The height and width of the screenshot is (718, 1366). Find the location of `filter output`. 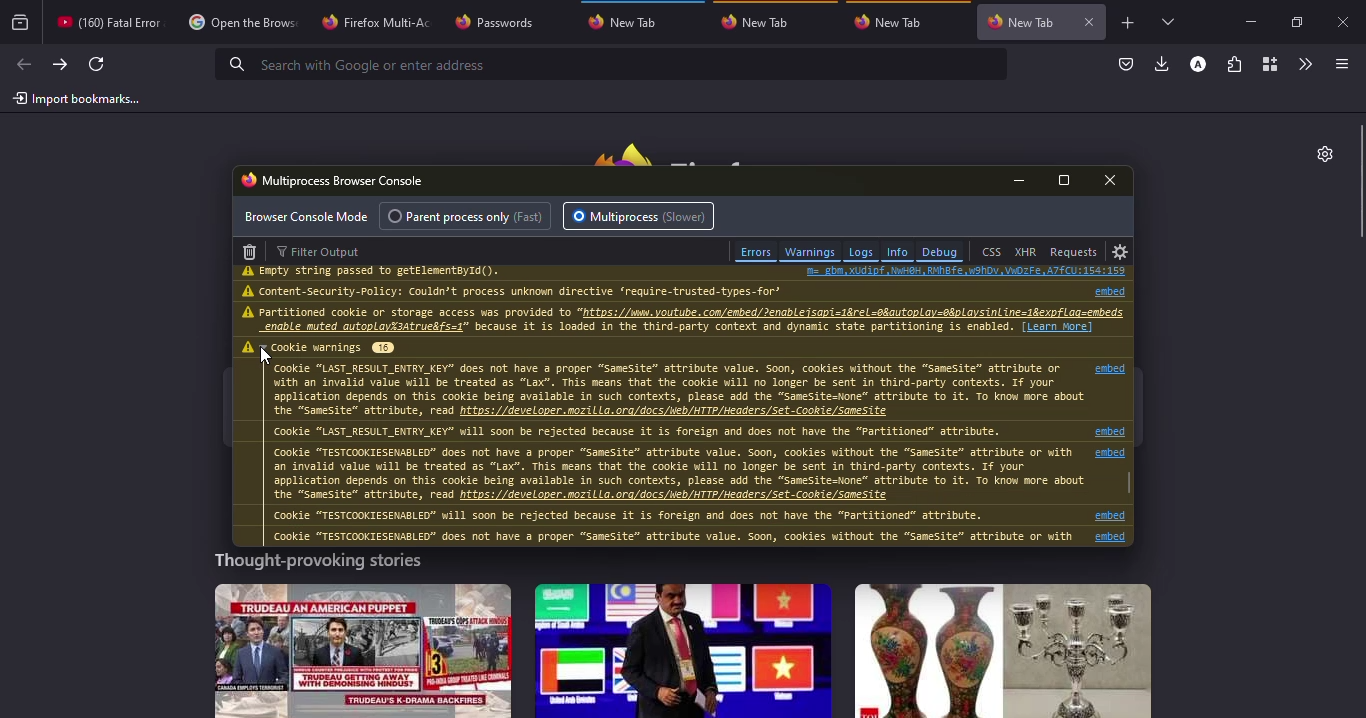

filter output is located at coordinates (324, 251).